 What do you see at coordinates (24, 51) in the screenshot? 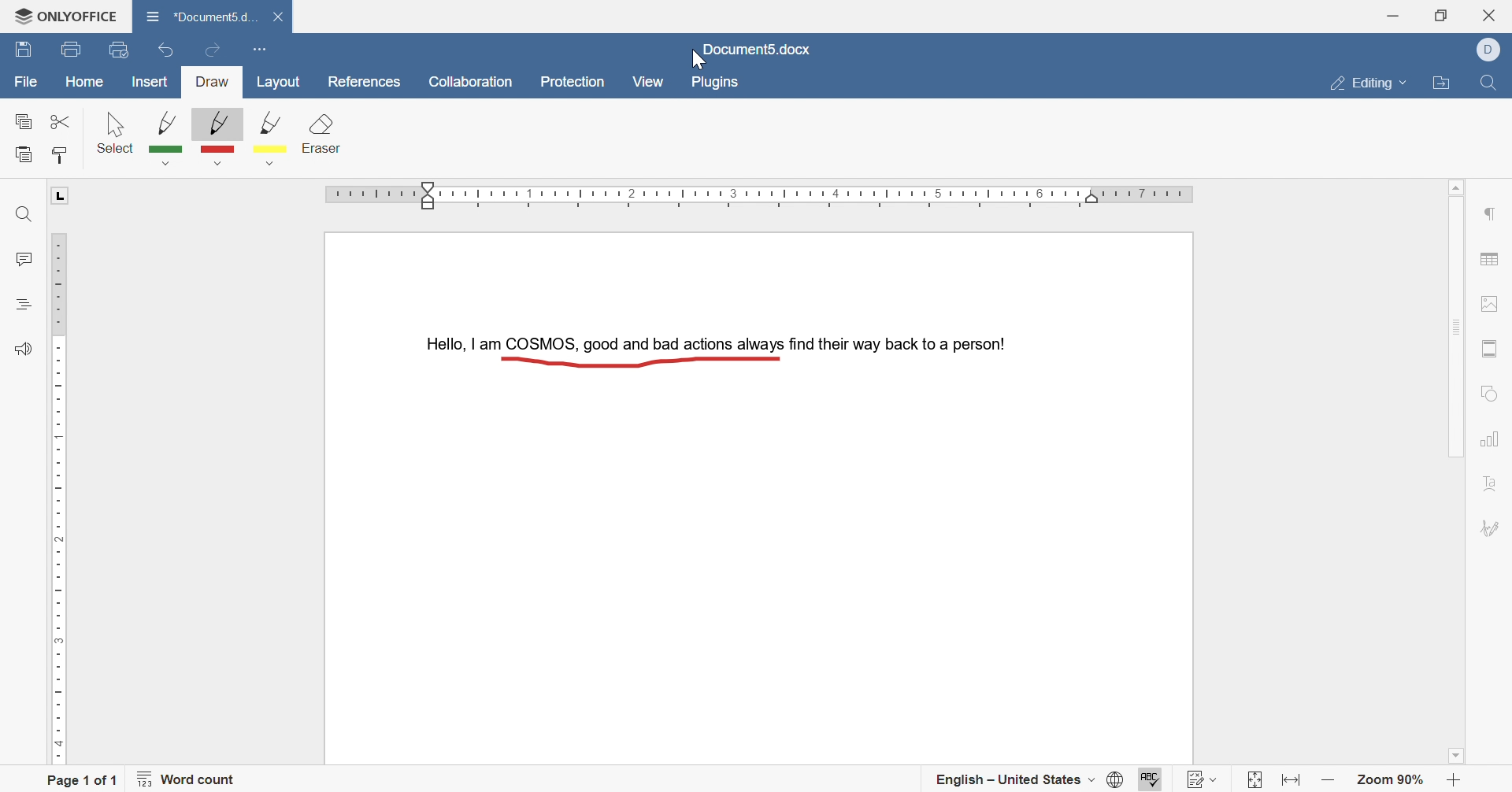
I see `save` at bounding box center [24, 51].